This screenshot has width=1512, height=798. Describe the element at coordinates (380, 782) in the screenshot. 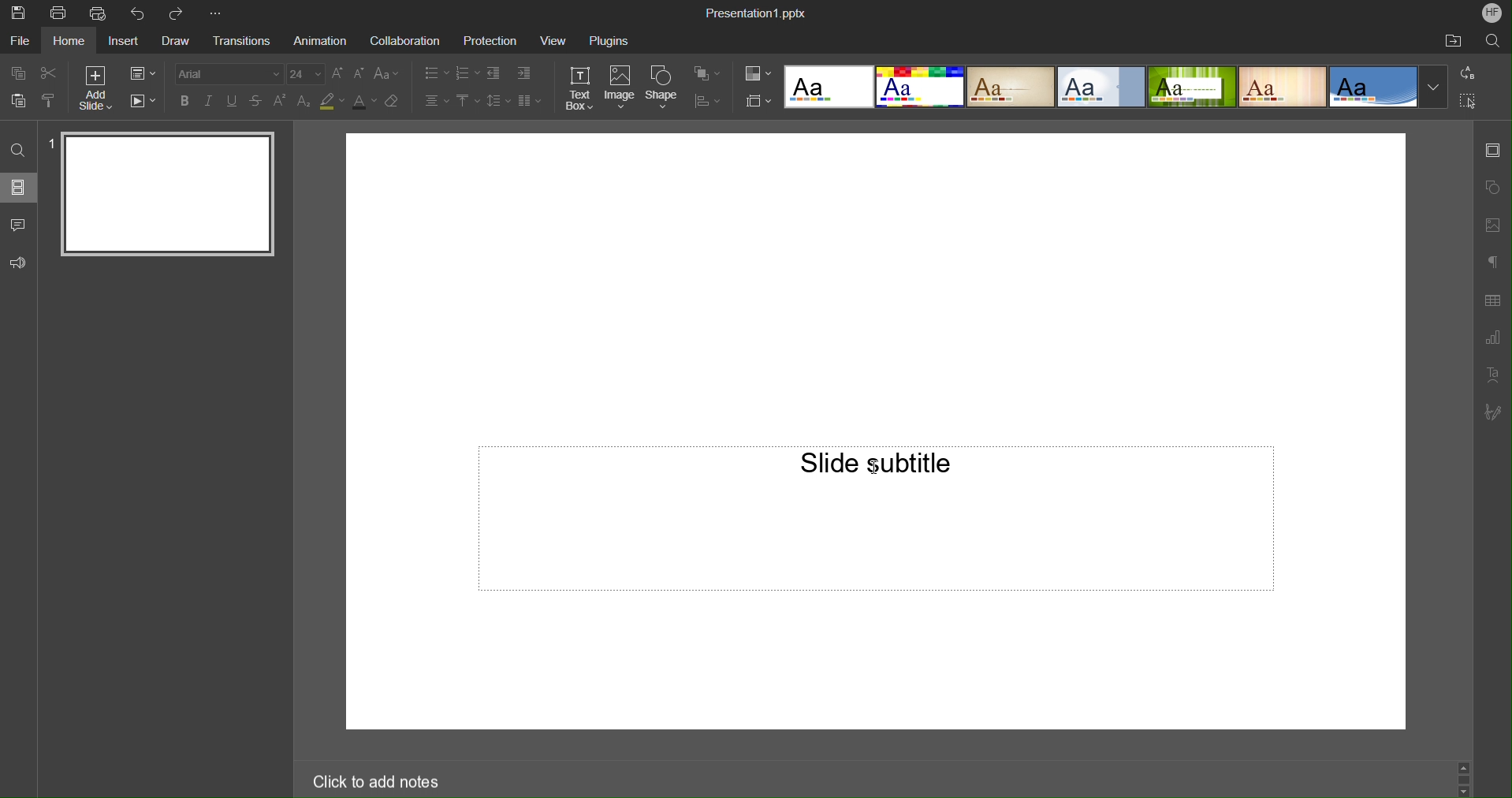

I see `Click to add notes` at that location.